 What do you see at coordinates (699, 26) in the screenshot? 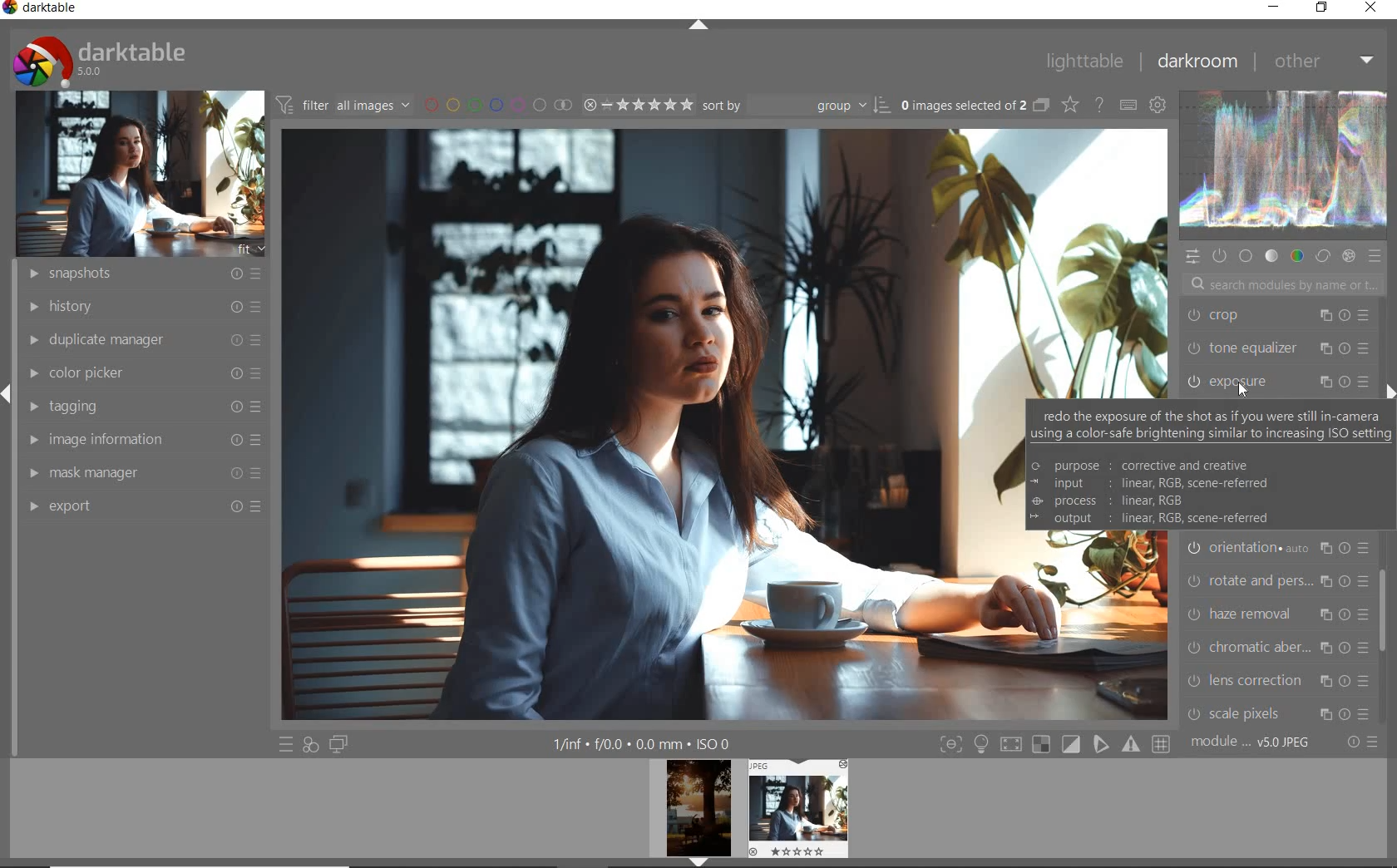
I see `EXPAND/COLLAPSE` at bounding box center [699, 26].